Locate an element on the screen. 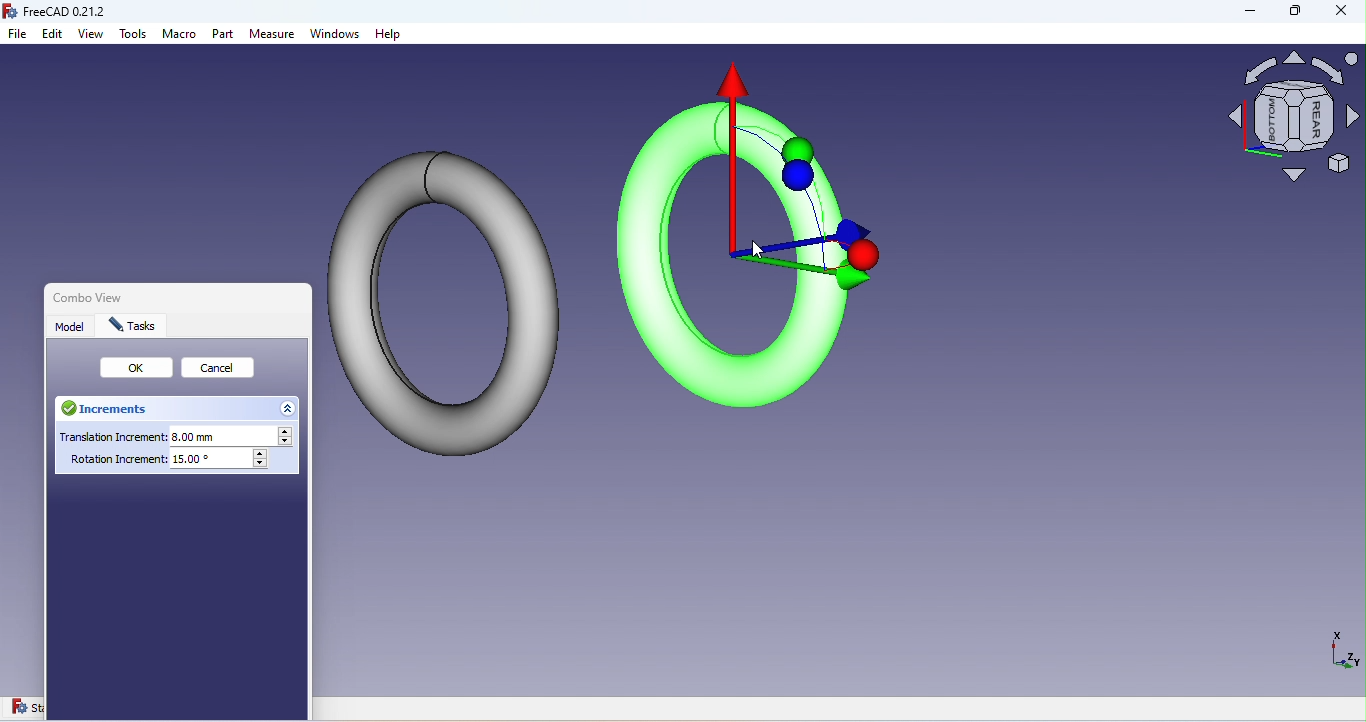 The height and width of the screenshot is (722, 1366). Ok is located at coordinates (138, 368).